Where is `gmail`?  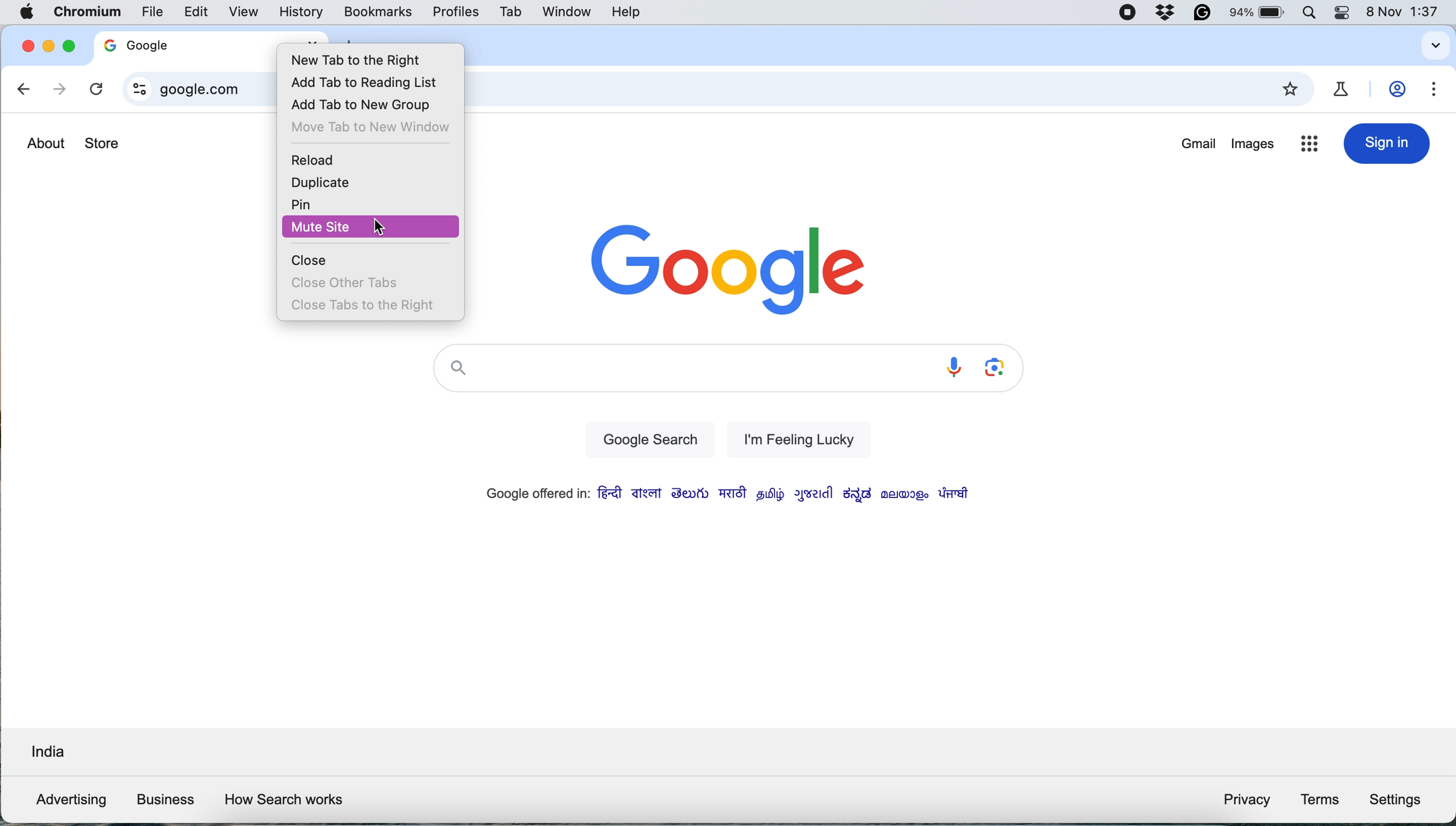 gmail is located at coordinates (1199, 145).